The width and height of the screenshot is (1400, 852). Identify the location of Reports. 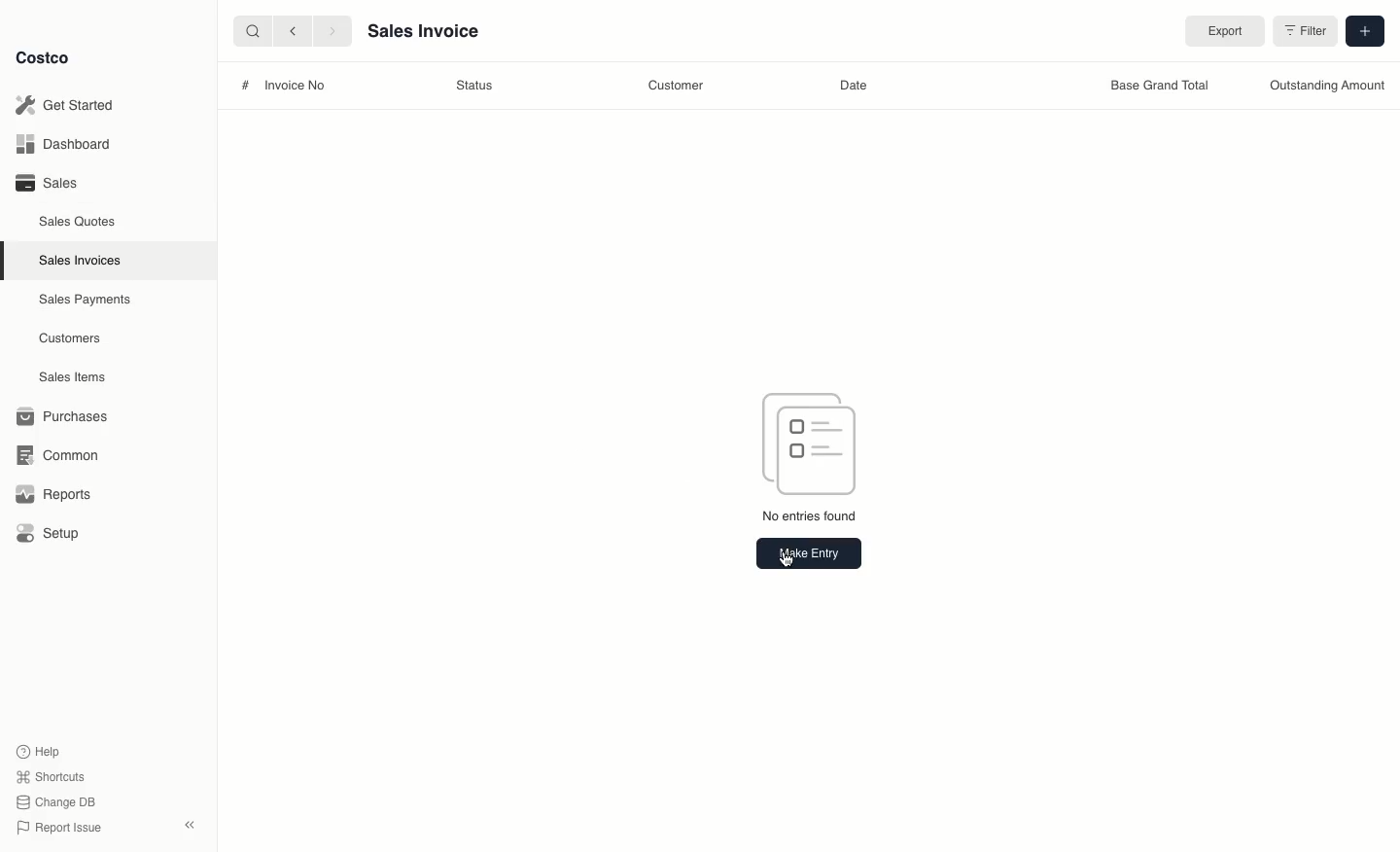
(51, 494).